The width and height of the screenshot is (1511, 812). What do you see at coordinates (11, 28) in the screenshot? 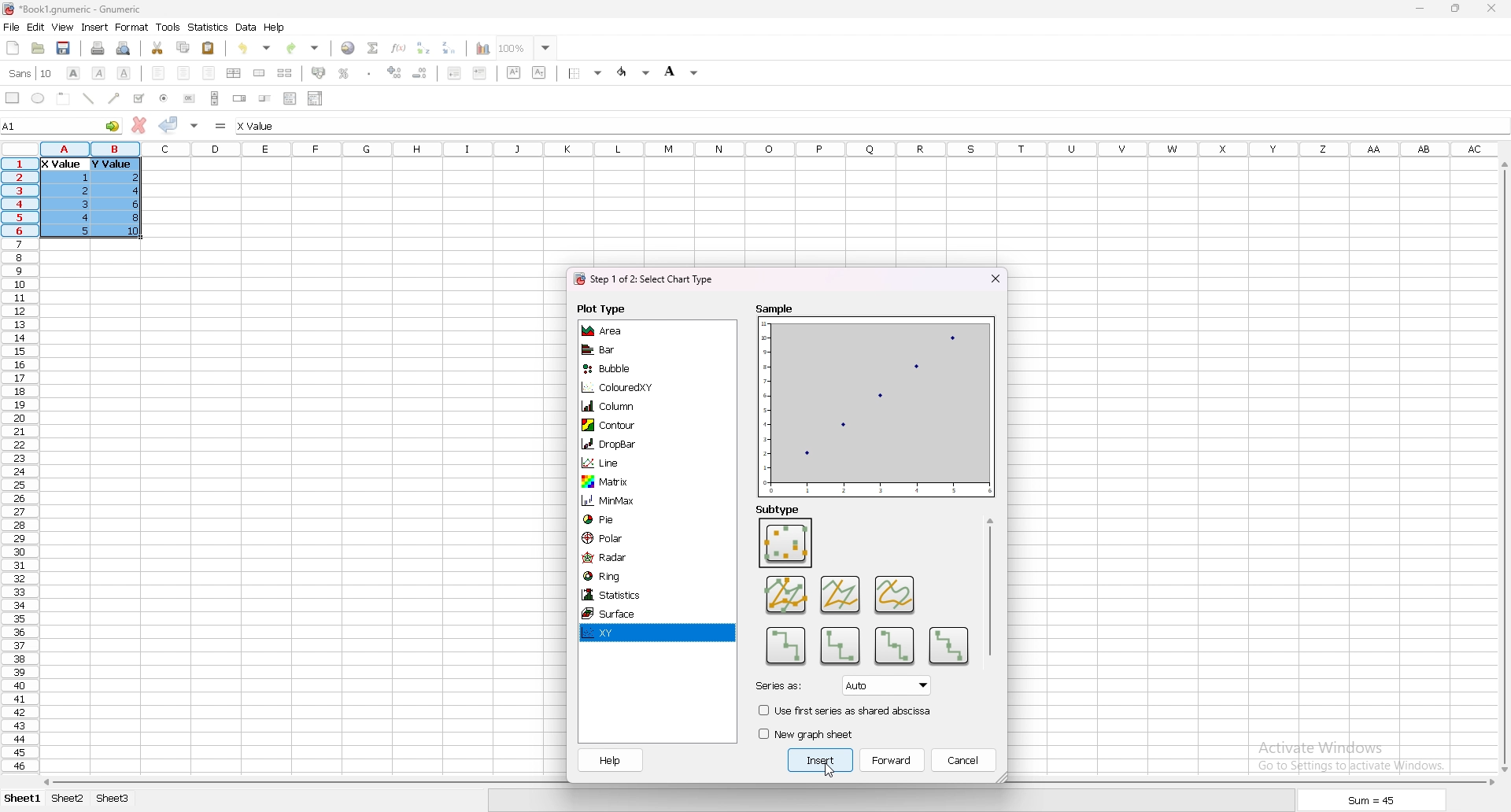
I see `file` at bounding box center [11, 28].